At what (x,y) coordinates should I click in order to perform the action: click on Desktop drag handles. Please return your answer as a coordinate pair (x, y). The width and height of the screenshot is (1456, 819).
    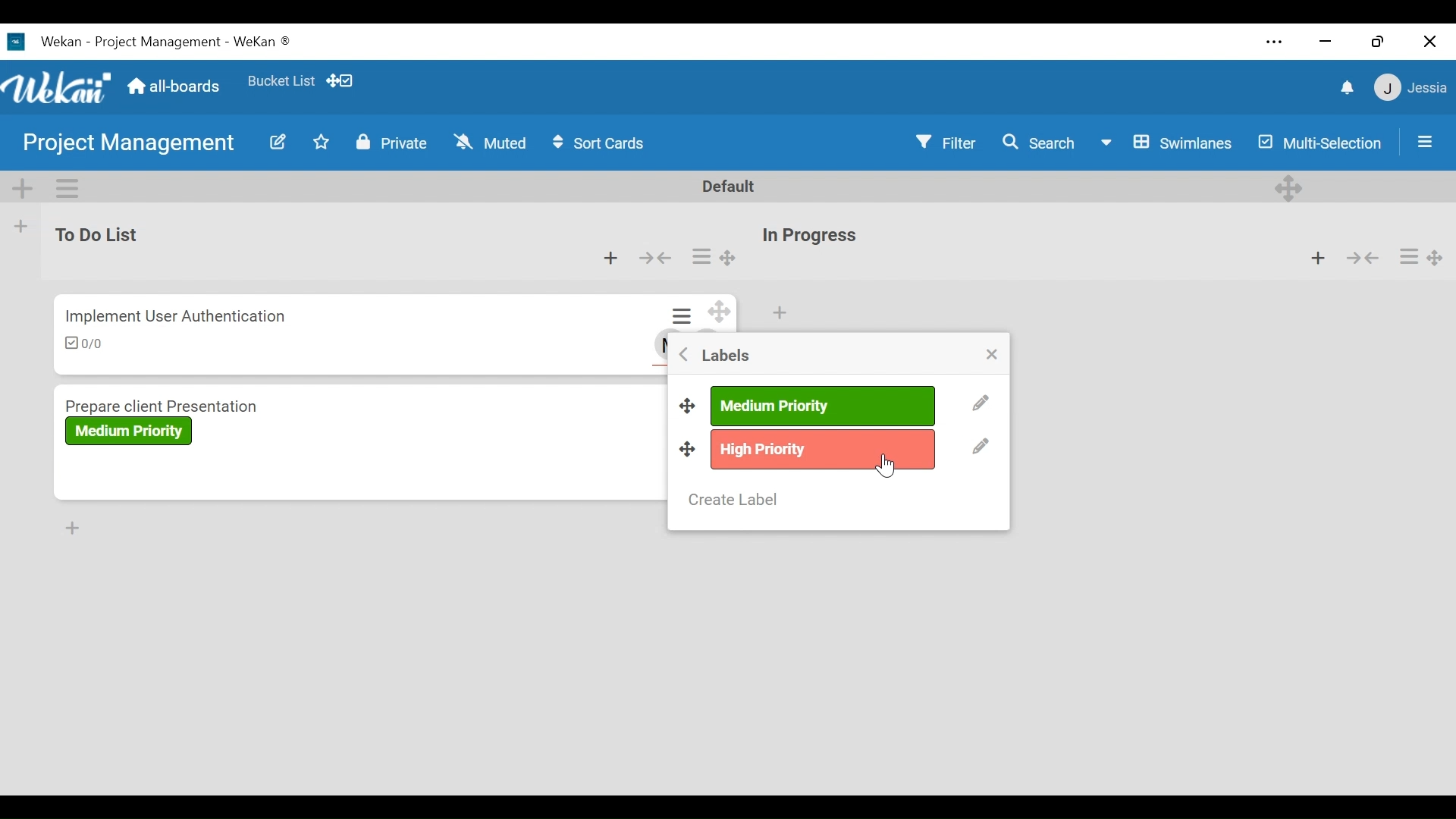
    Looking at the image, I should click on (1288, 188).